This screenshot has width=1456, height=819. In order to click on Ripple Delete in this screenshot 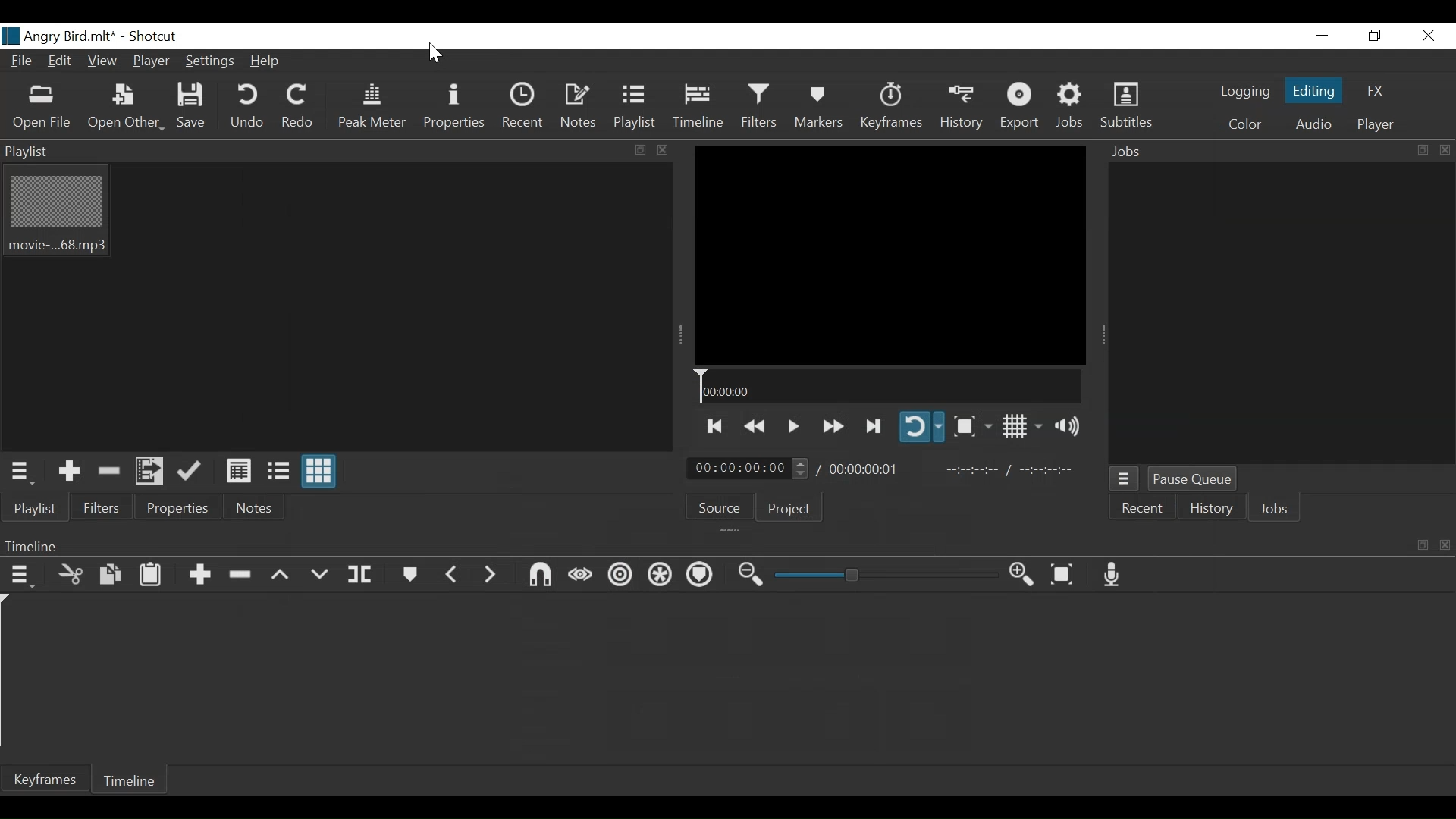, I will do `click(242, 574)`.